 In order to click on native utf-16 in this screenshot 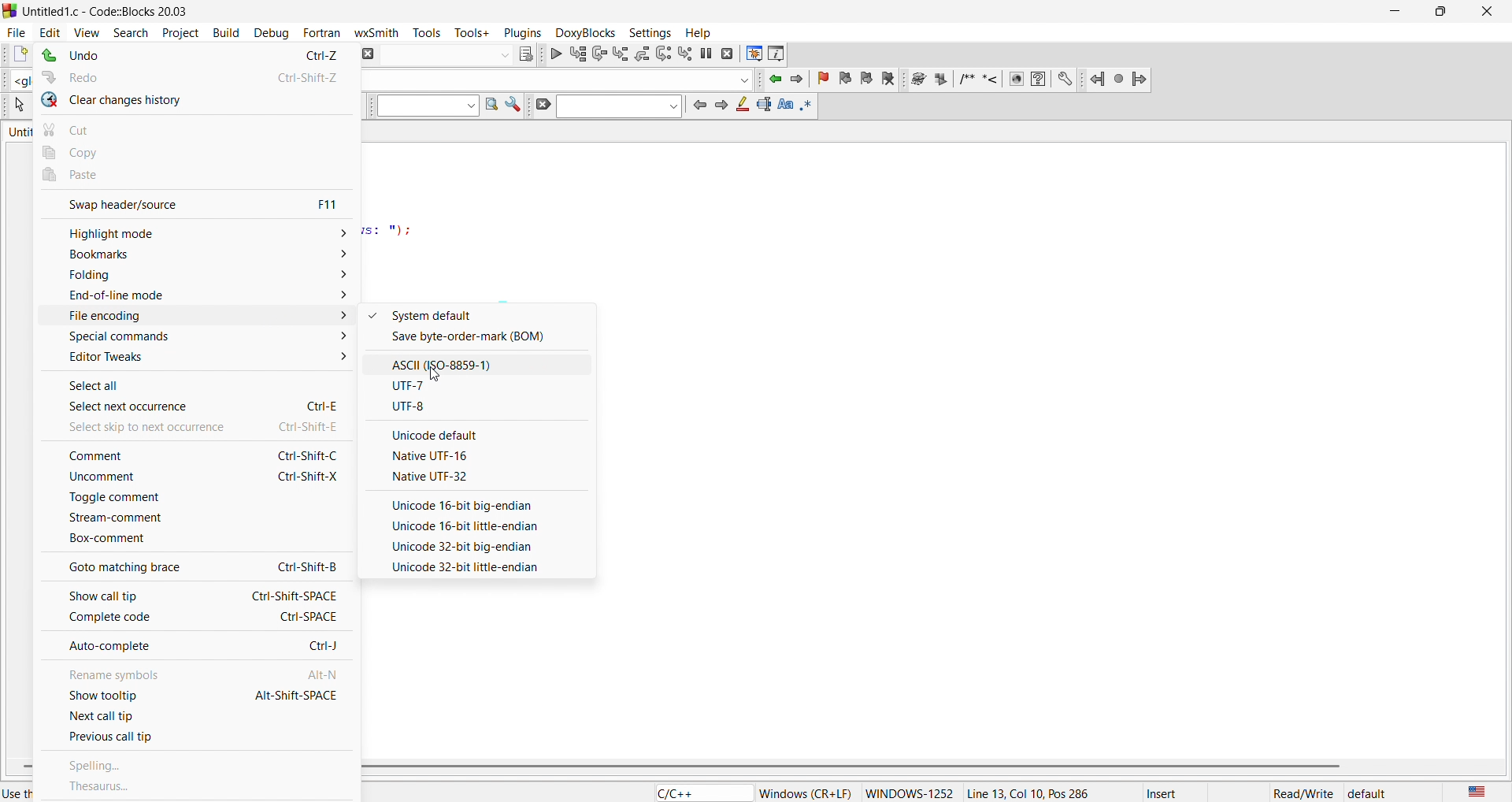, I will do `click(478, 455)`.